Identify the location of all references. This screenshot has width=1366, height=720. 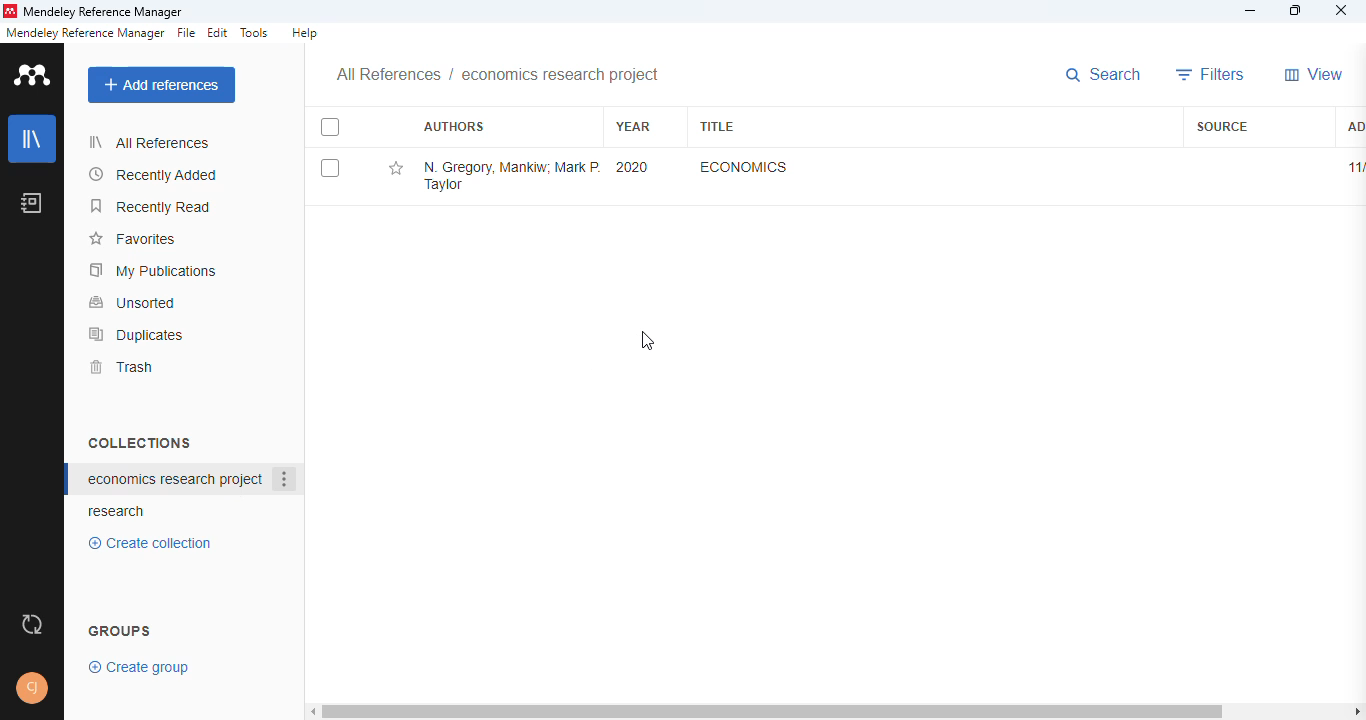
(389, 76).